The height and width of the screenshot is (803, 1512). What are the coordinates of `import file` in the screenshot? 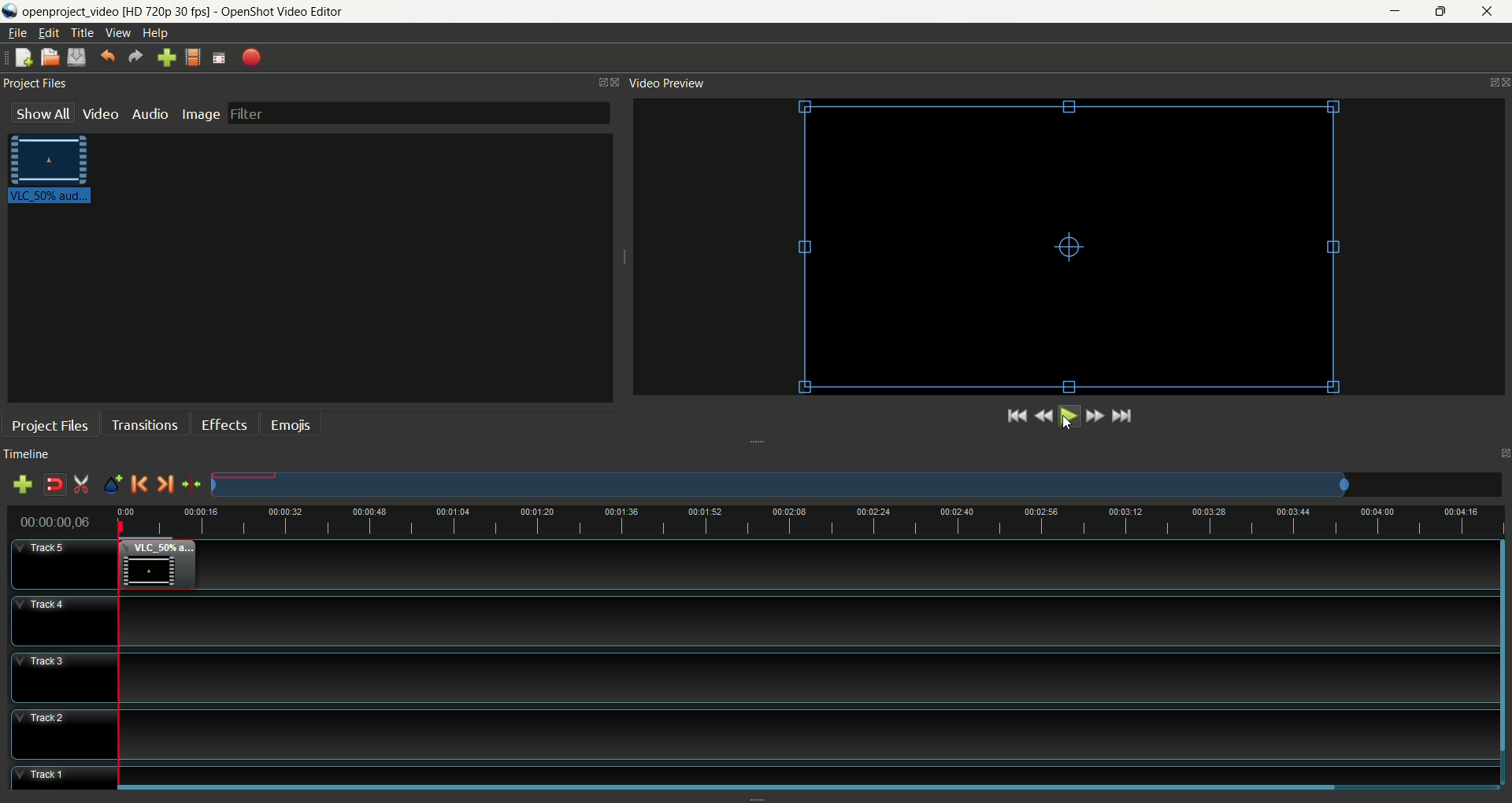 It's located at (165, 57).